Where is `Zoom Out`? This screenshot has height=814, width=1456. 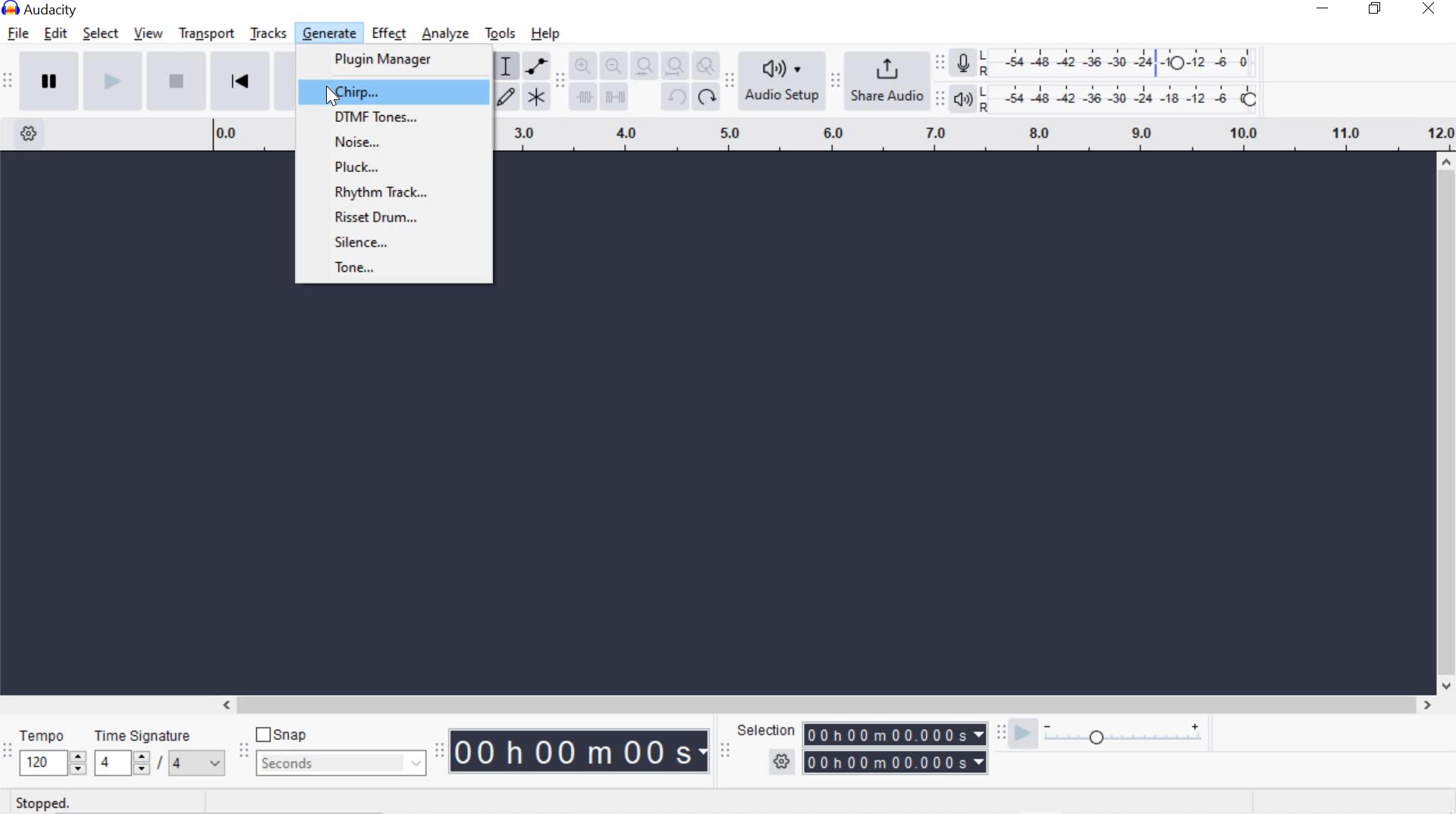 Zoom Out is located at coordinates (613, 67).